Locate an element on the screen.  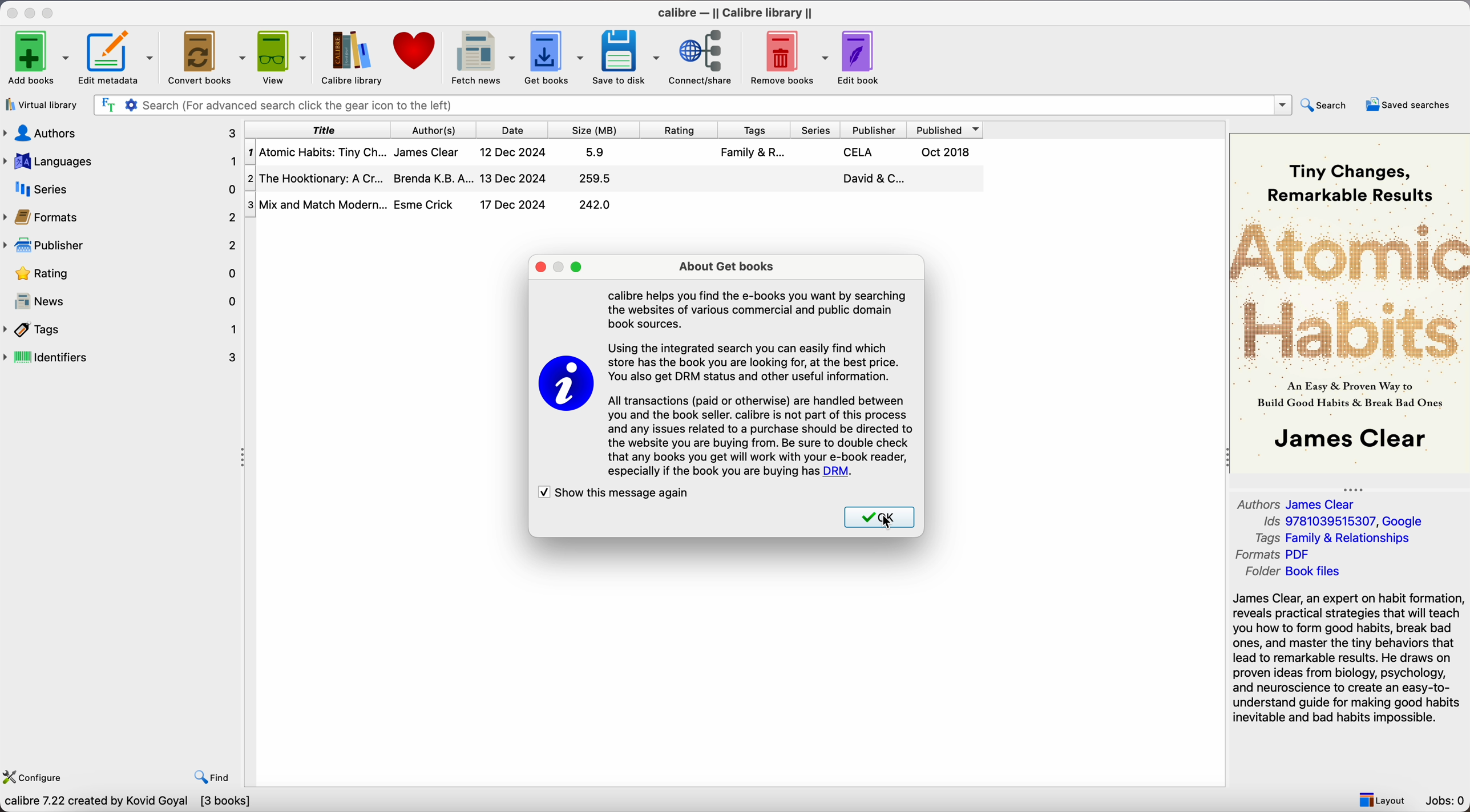
Jobs: 0 is located at coordinates (1447, 802).